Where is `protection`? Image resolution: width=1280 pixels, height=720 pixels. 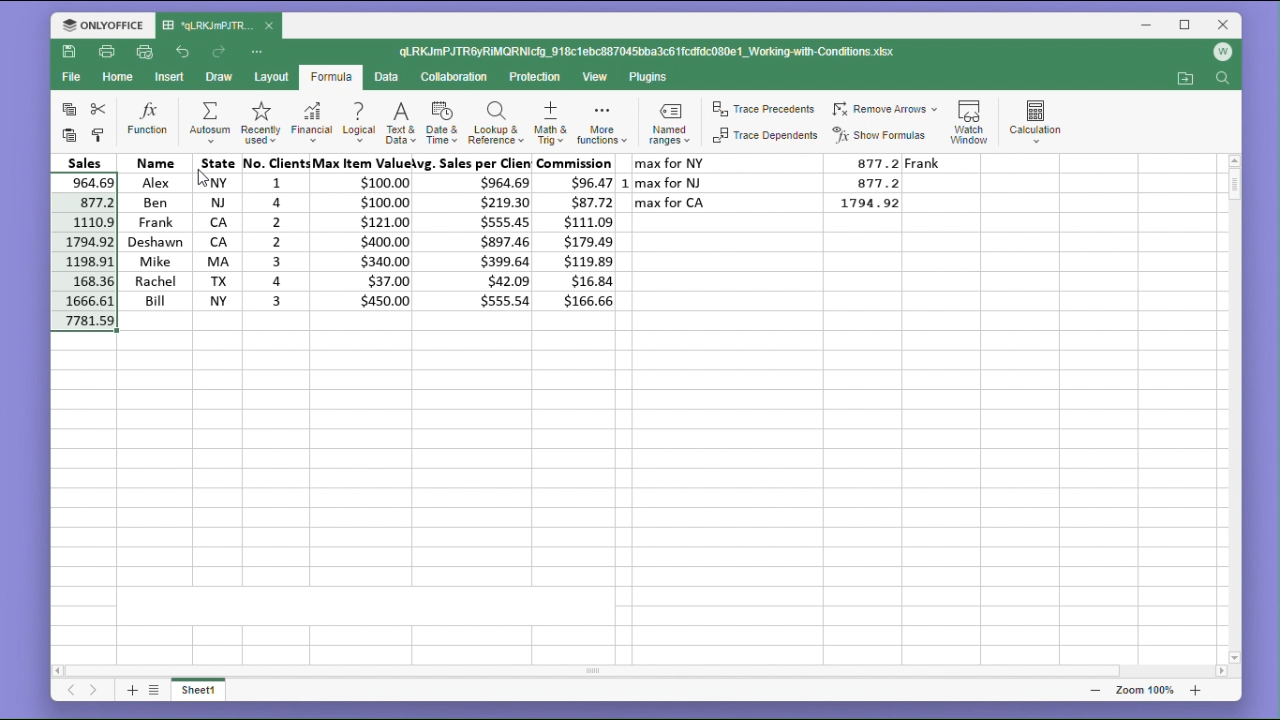 protection is located at coordinates (537, 77).